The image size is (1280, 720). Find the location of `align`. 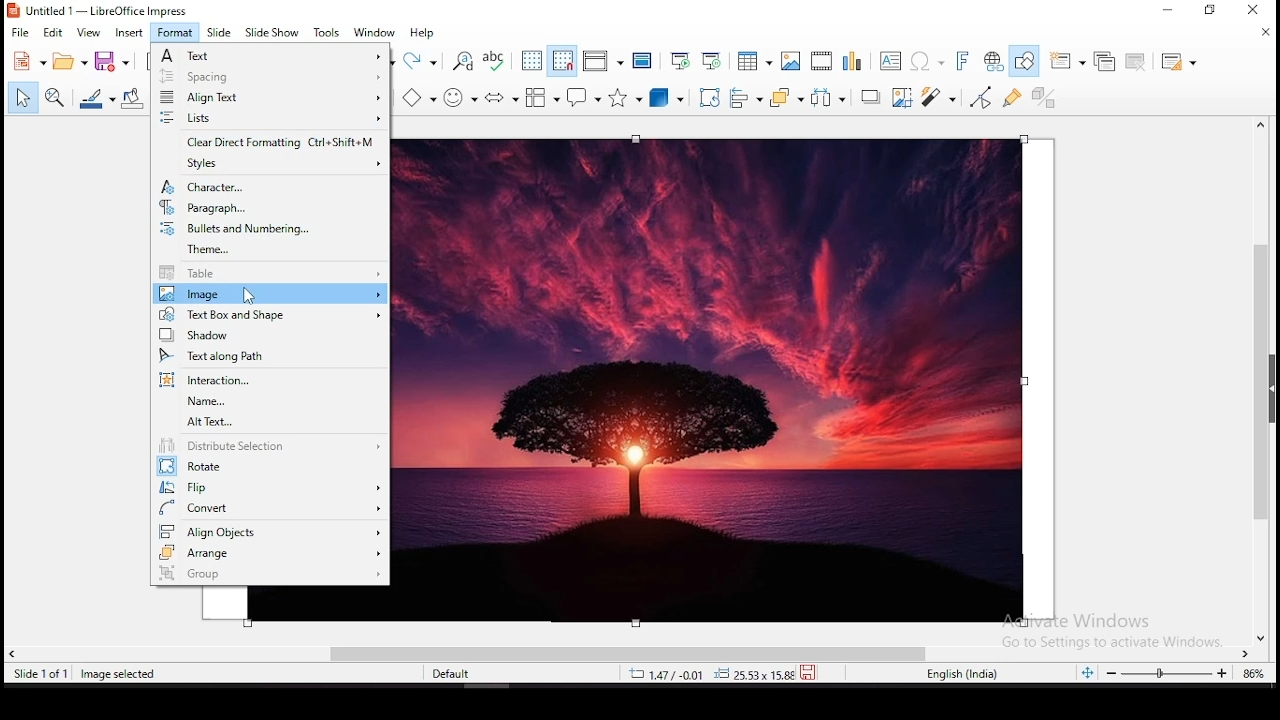

align is located at coordinates (269, 98).